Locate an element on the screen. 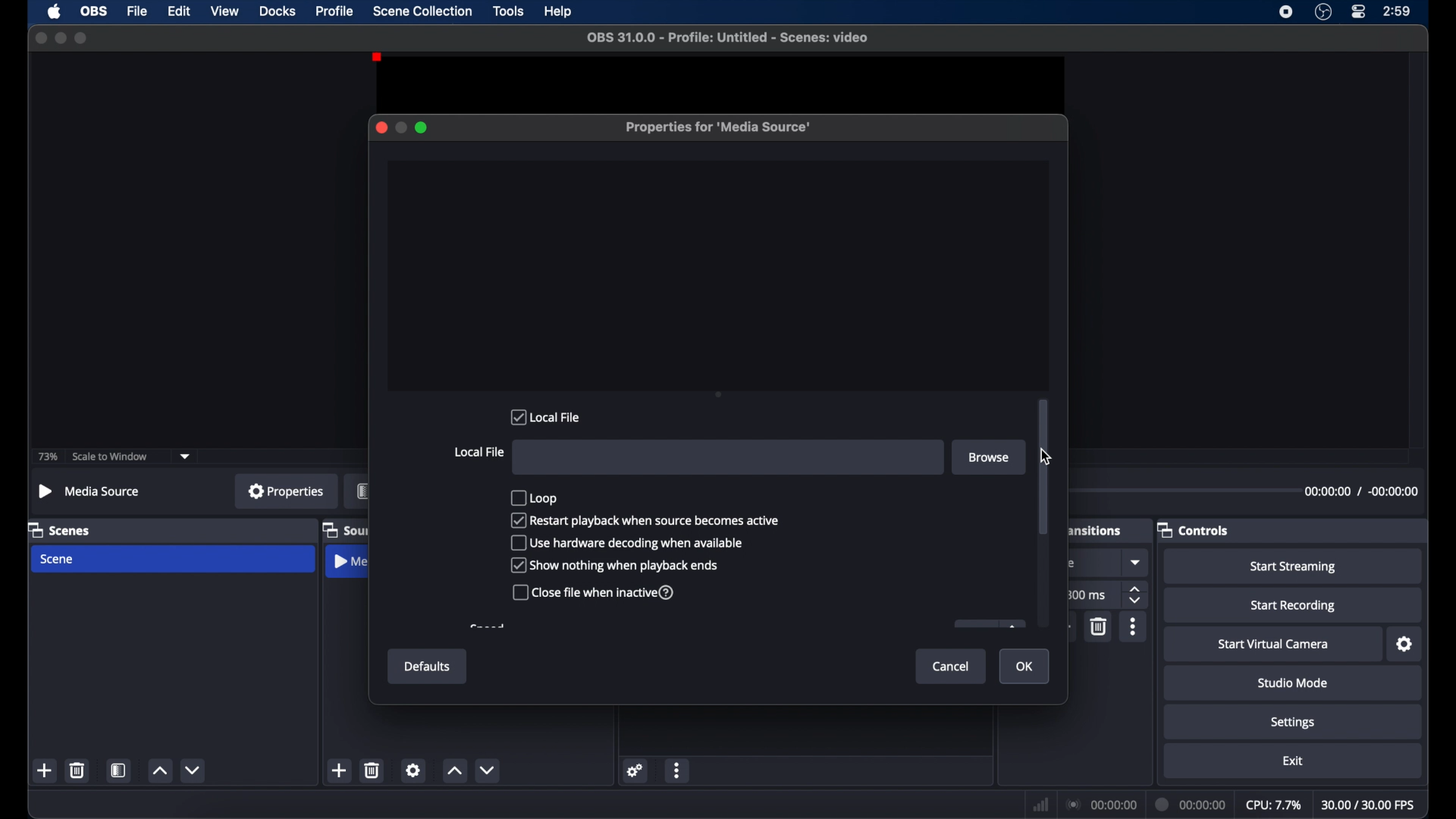 The height and width of the screenshot is (819, 1456). view is located at coordinates (224, 10).